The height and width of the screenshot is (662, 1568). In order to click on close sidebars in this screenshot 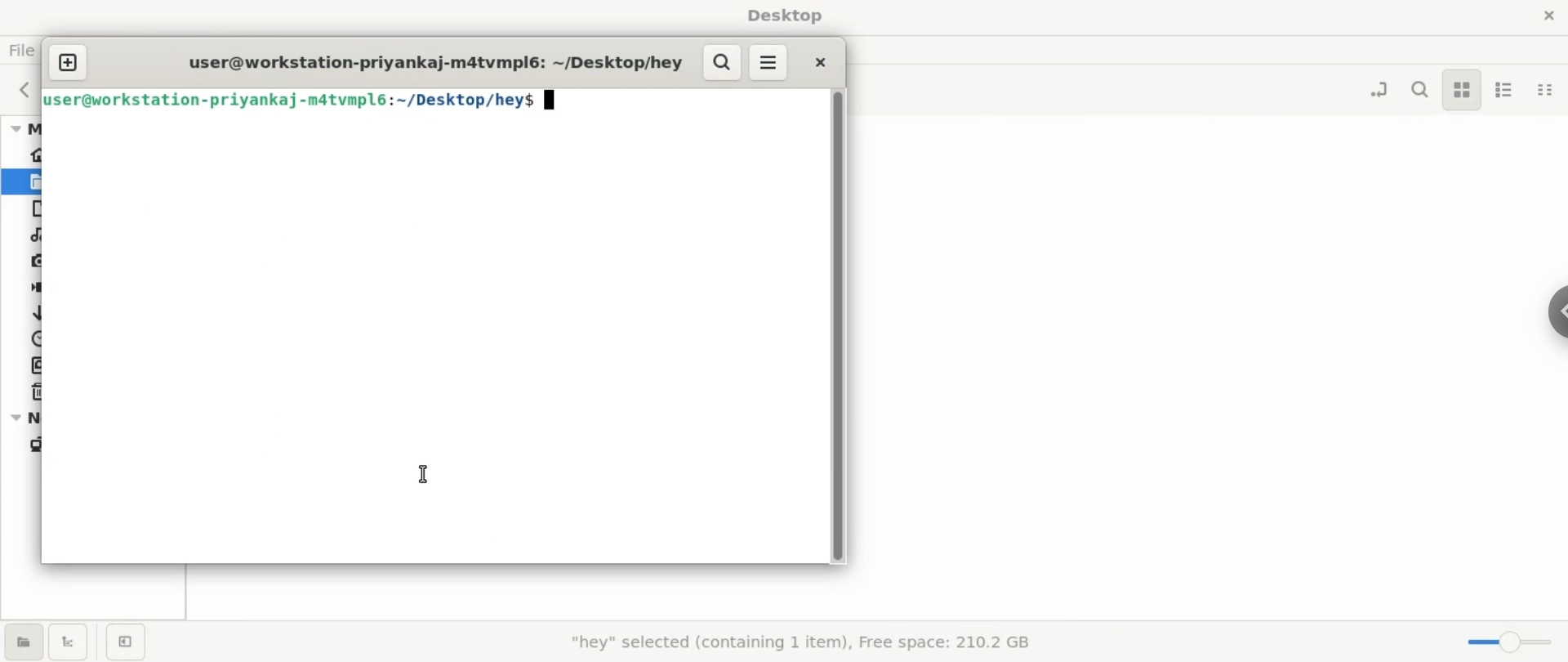, I will do `click(128, 644)`.